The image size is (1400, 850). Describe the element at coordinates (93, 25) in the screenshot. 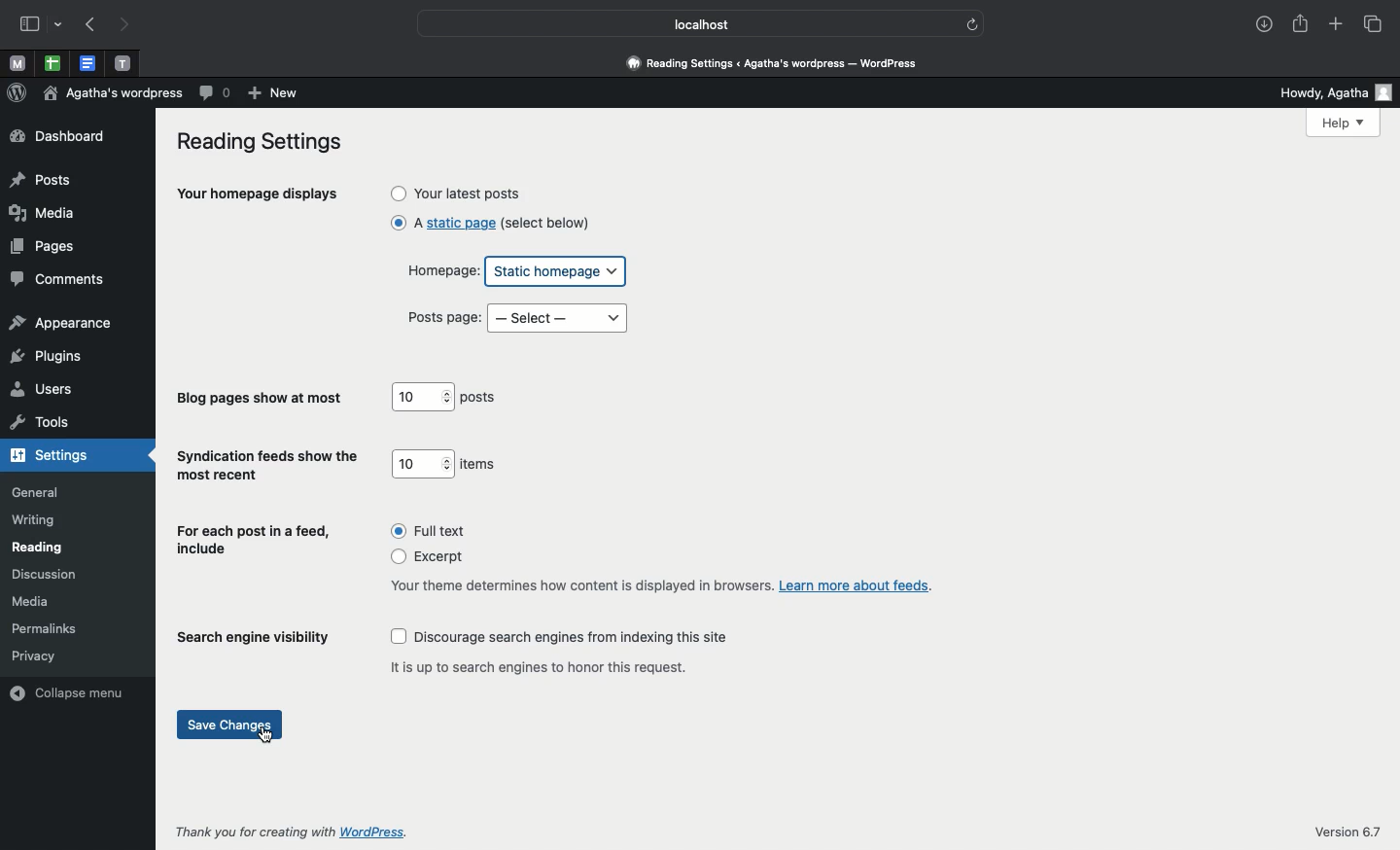

I see `Previous page` at that location.